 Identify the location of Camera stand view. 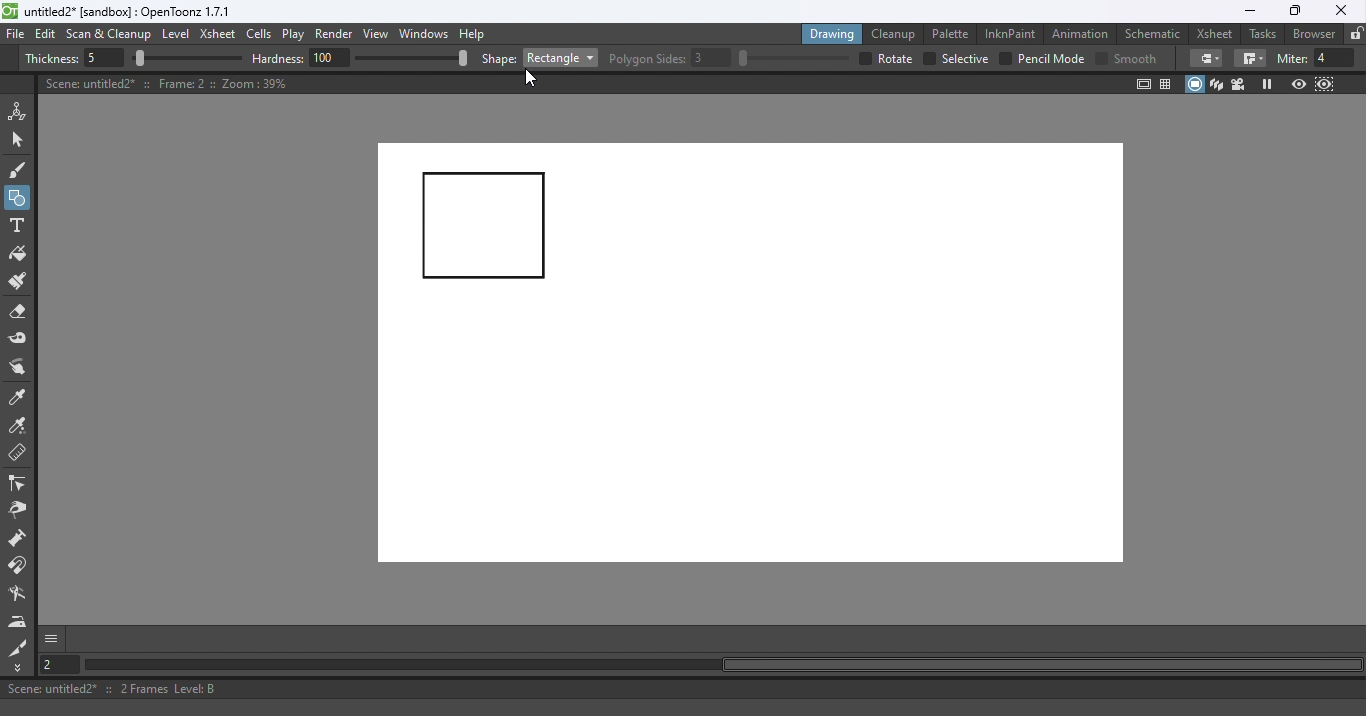
(1196, 84).